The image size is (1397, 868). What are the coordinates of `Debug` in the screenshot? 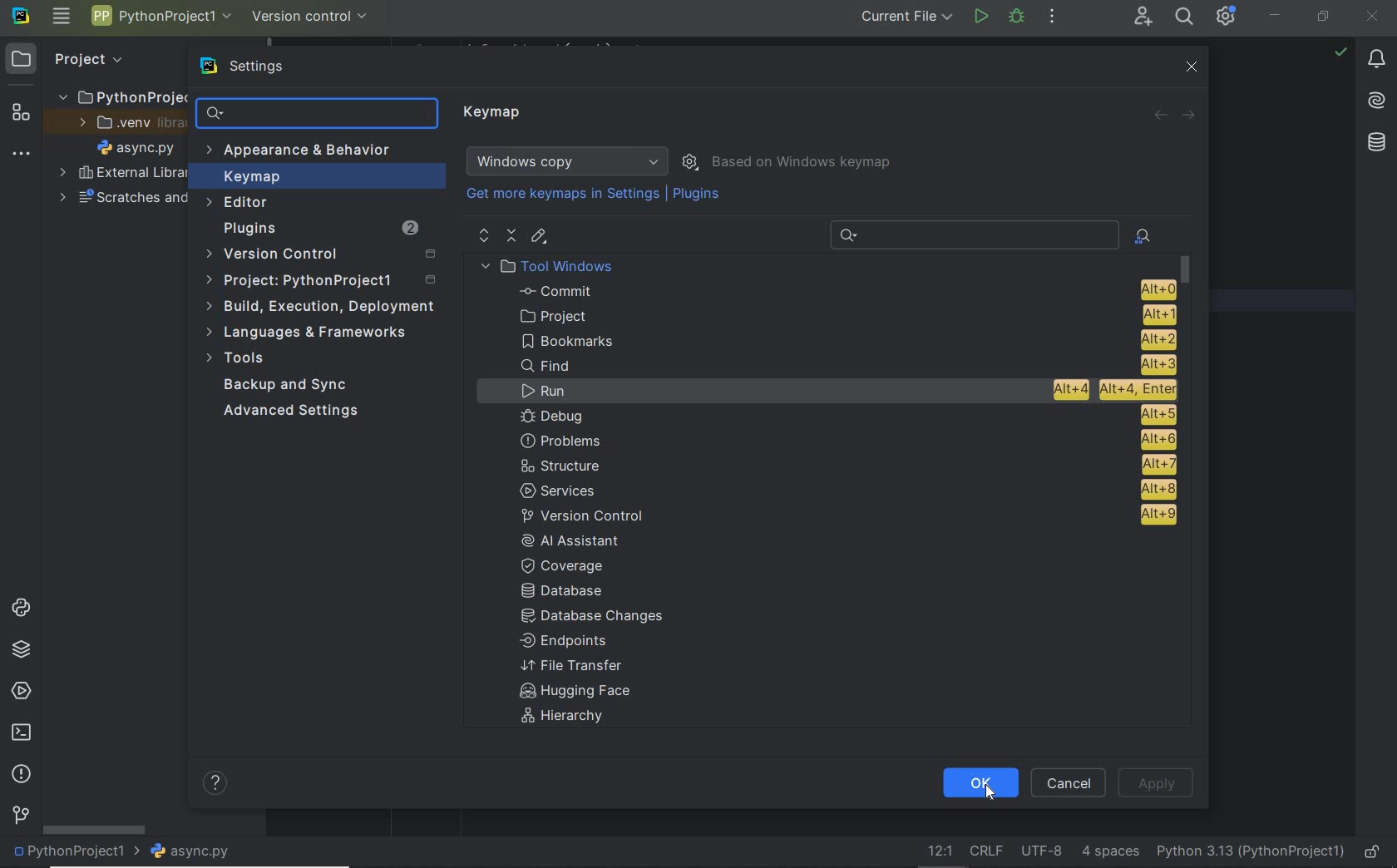 It's located at (1017, 17).